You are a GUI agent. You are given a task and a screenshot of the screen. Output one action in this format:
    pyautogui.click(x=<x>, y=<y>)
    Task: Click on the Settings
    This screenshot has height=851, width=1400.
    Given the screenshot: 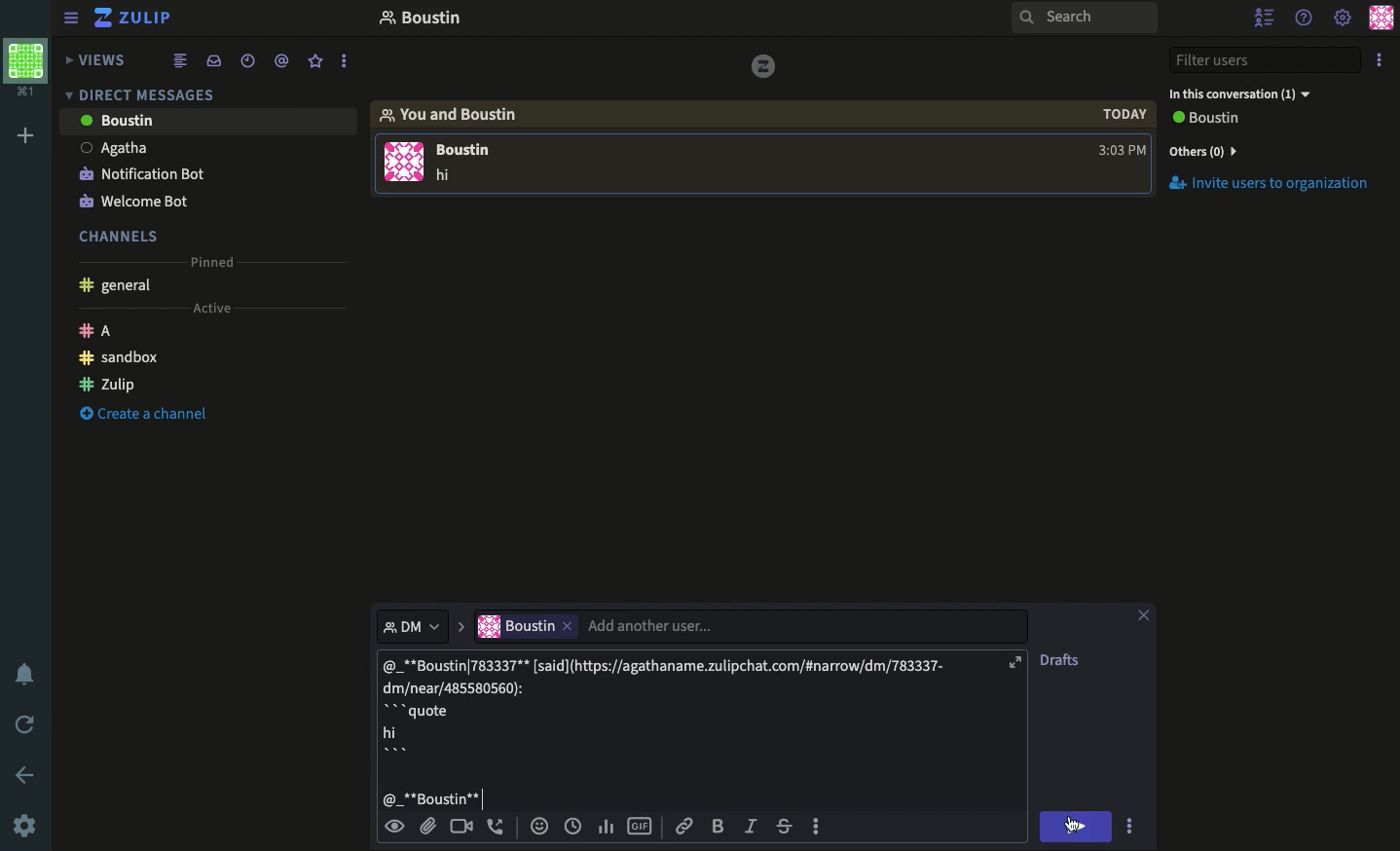 What is the action you would take?
    pyautogui.click(x=1342, y=18)
    